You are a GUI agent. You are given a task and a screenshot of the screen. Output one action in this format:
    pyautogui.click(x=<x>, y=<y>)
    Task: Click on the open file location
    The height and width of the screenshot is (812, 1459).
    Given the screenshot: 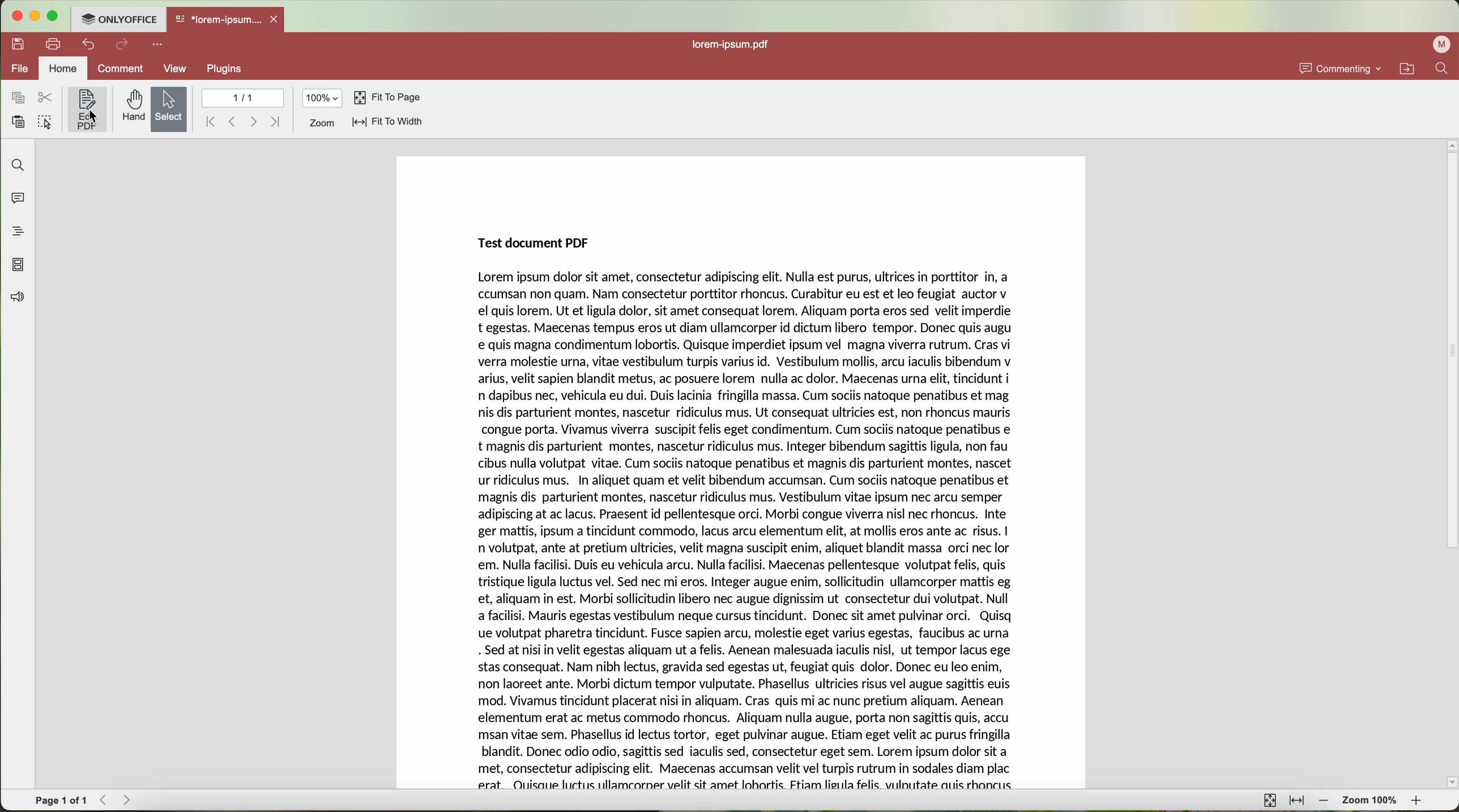 What is the action you would take?
    pyautogui.click(x=1410, y=69)
    